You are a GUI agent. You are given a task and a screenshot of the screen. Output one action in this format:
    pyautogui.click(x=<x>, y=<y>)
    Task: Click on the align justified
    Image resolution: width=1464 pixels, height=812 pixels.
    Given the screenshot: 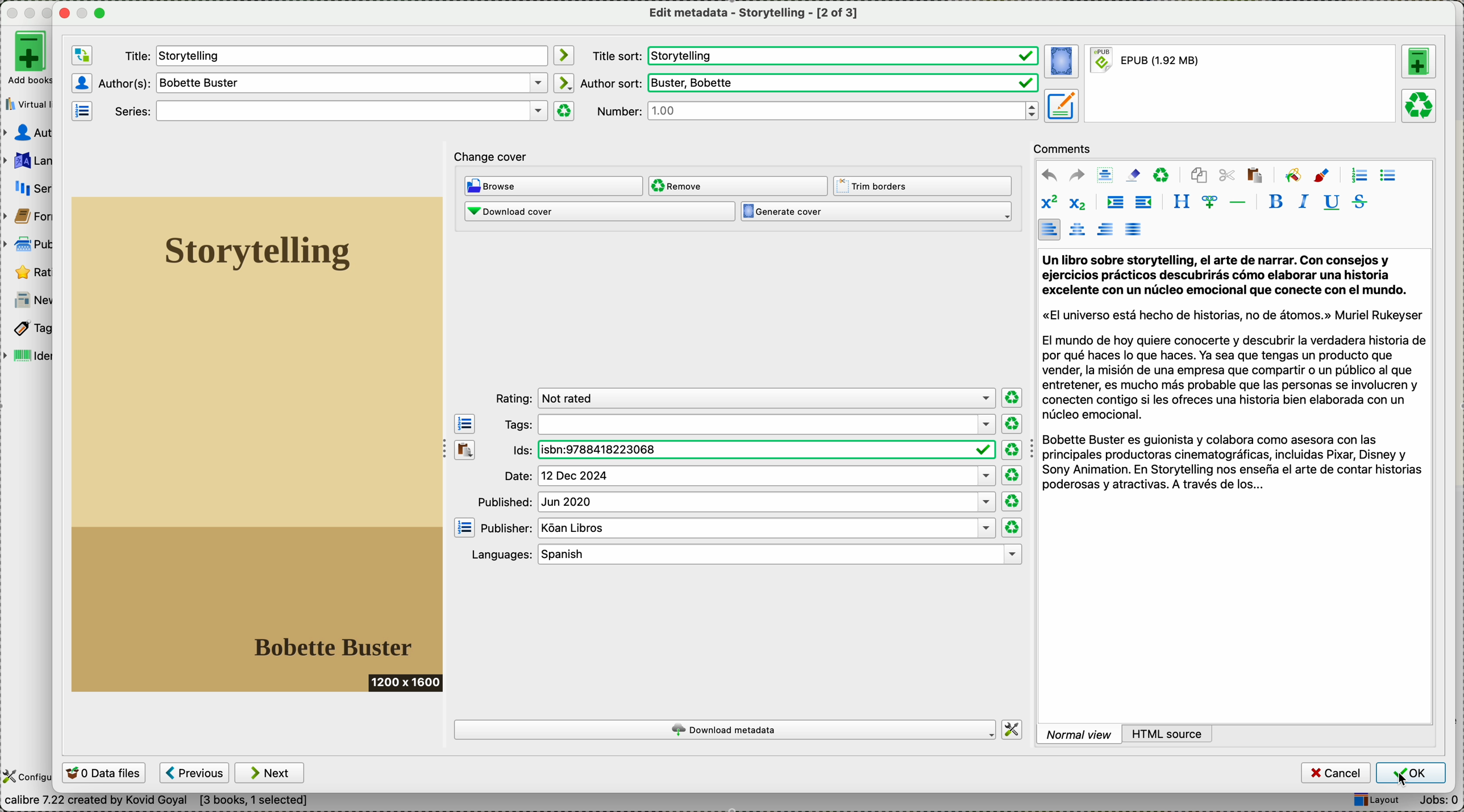 What is the action you would take?
    pyautogui.click(x=1134, y=229)
    